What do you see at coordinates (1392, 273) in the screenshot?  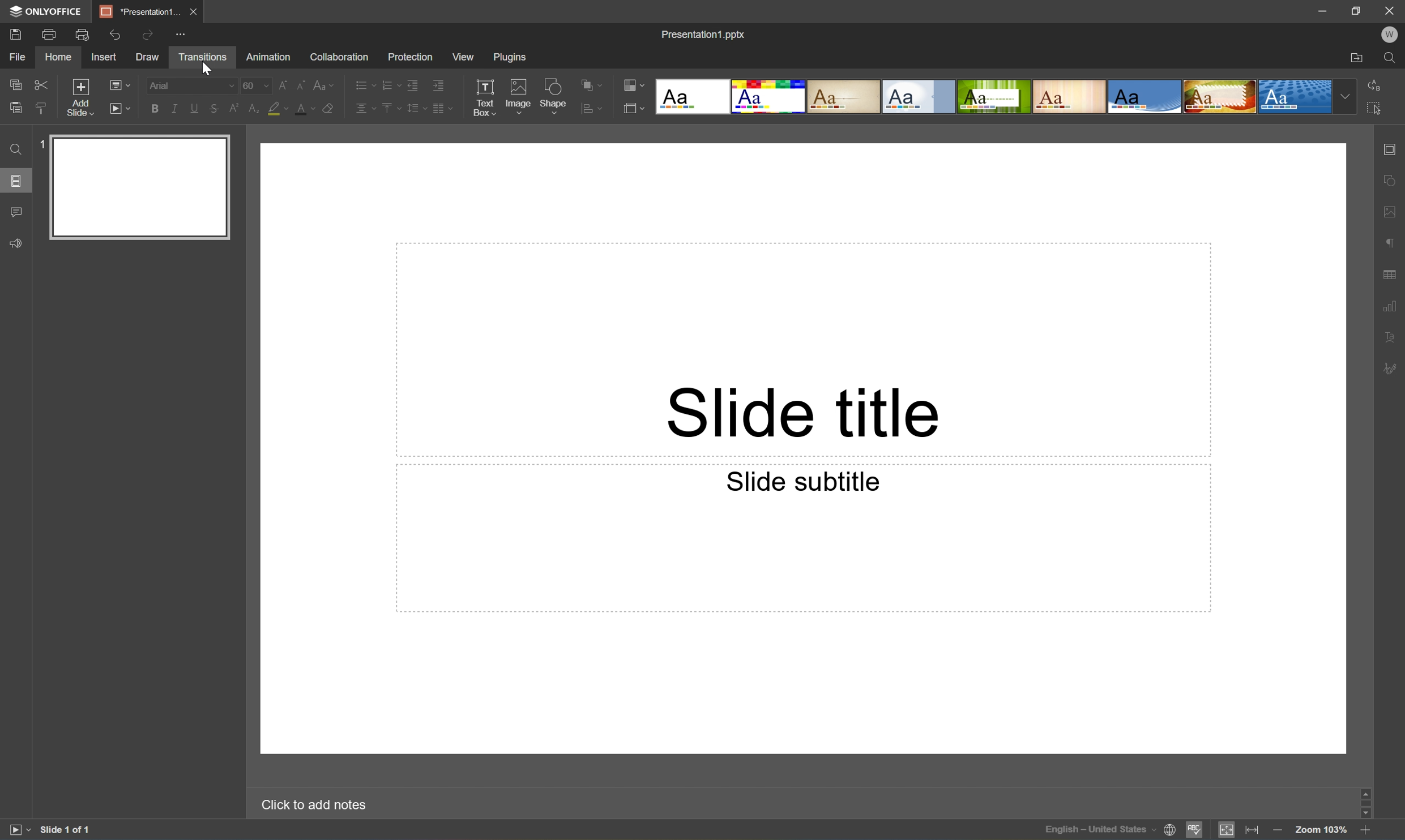 I see `Table settings` at bounding box center [1392, 273].